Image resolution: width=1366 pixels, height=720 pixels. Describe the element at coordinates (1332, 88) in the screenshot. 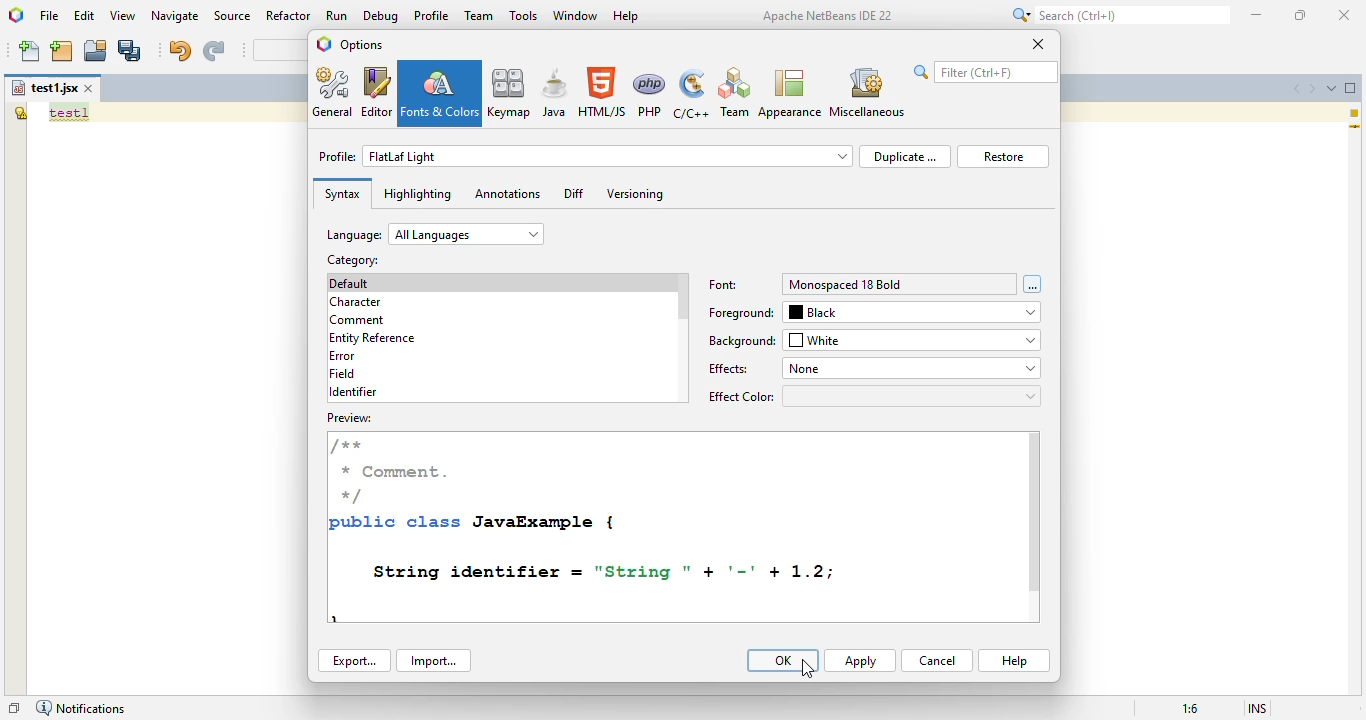

I see `show opened documents list` at that location.